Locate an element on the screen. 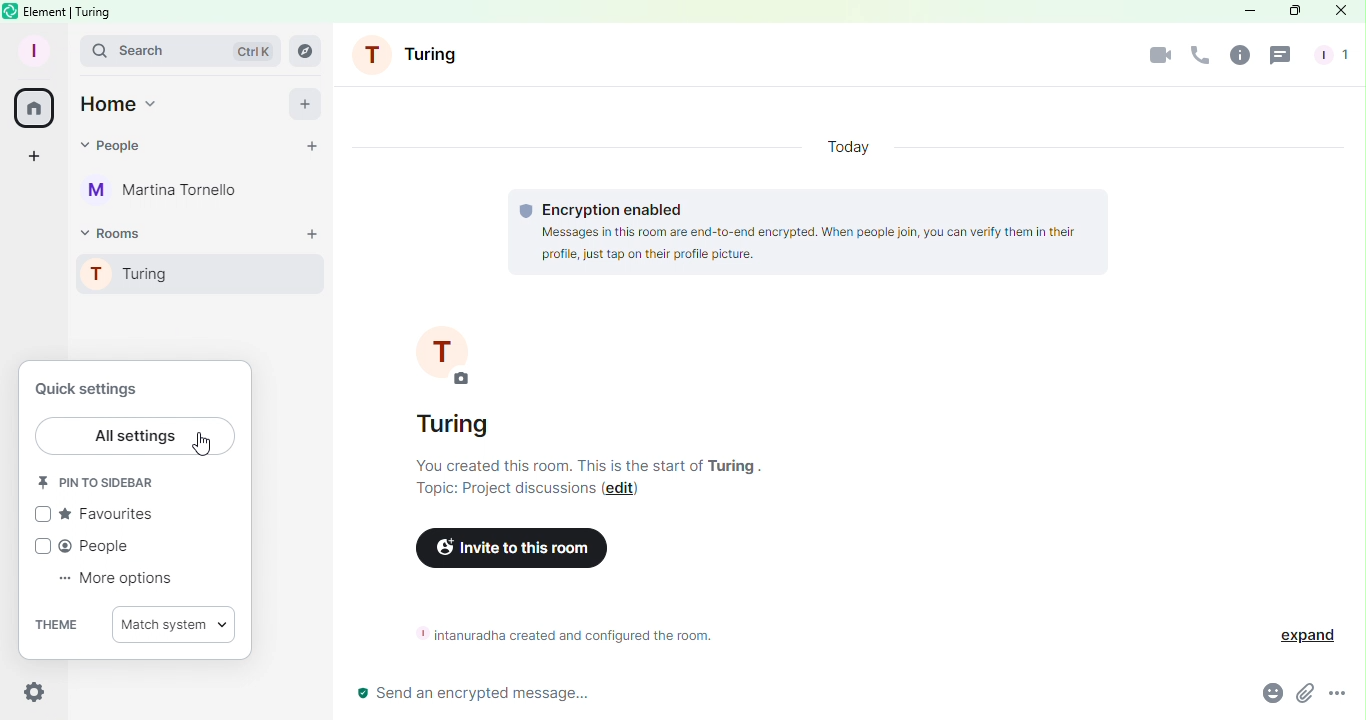  check box is located at coordinates (43, 546).